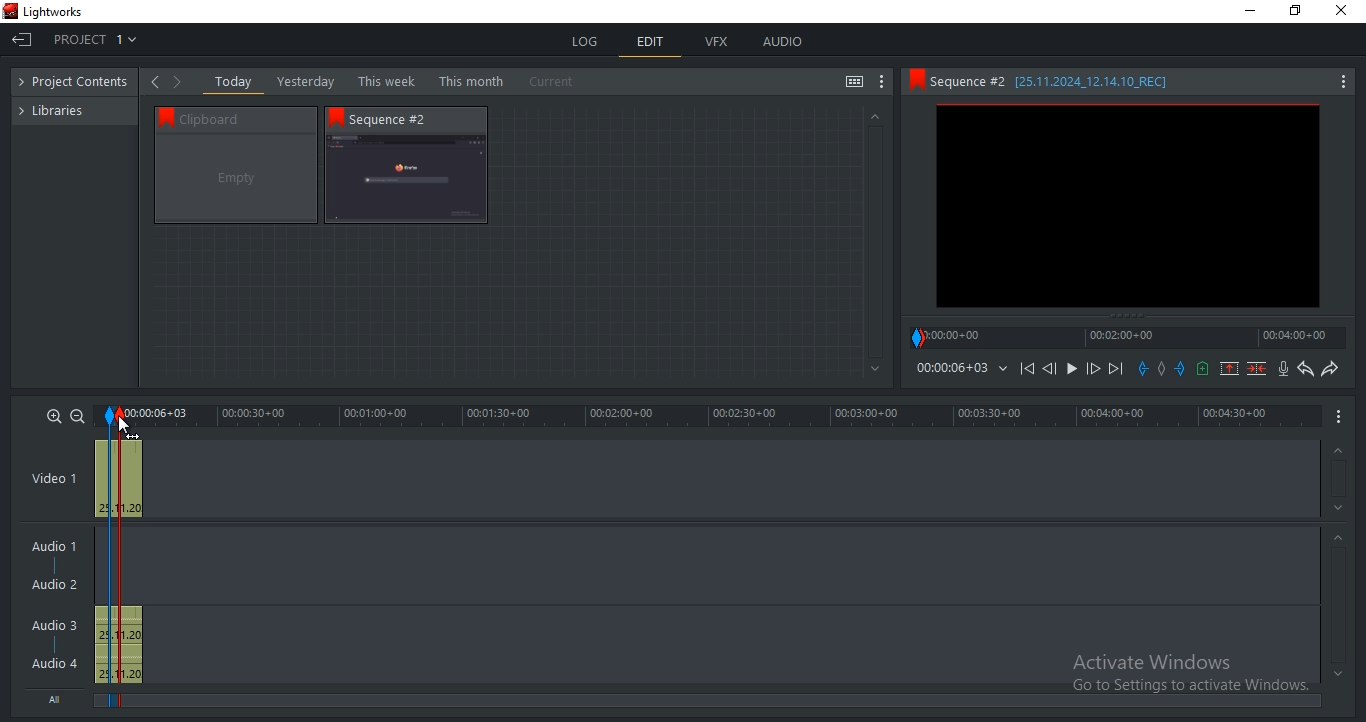  What do you see at coordinates (951, 368) in the screenshot?
I see `timeline` at bounding box center [951, 368].